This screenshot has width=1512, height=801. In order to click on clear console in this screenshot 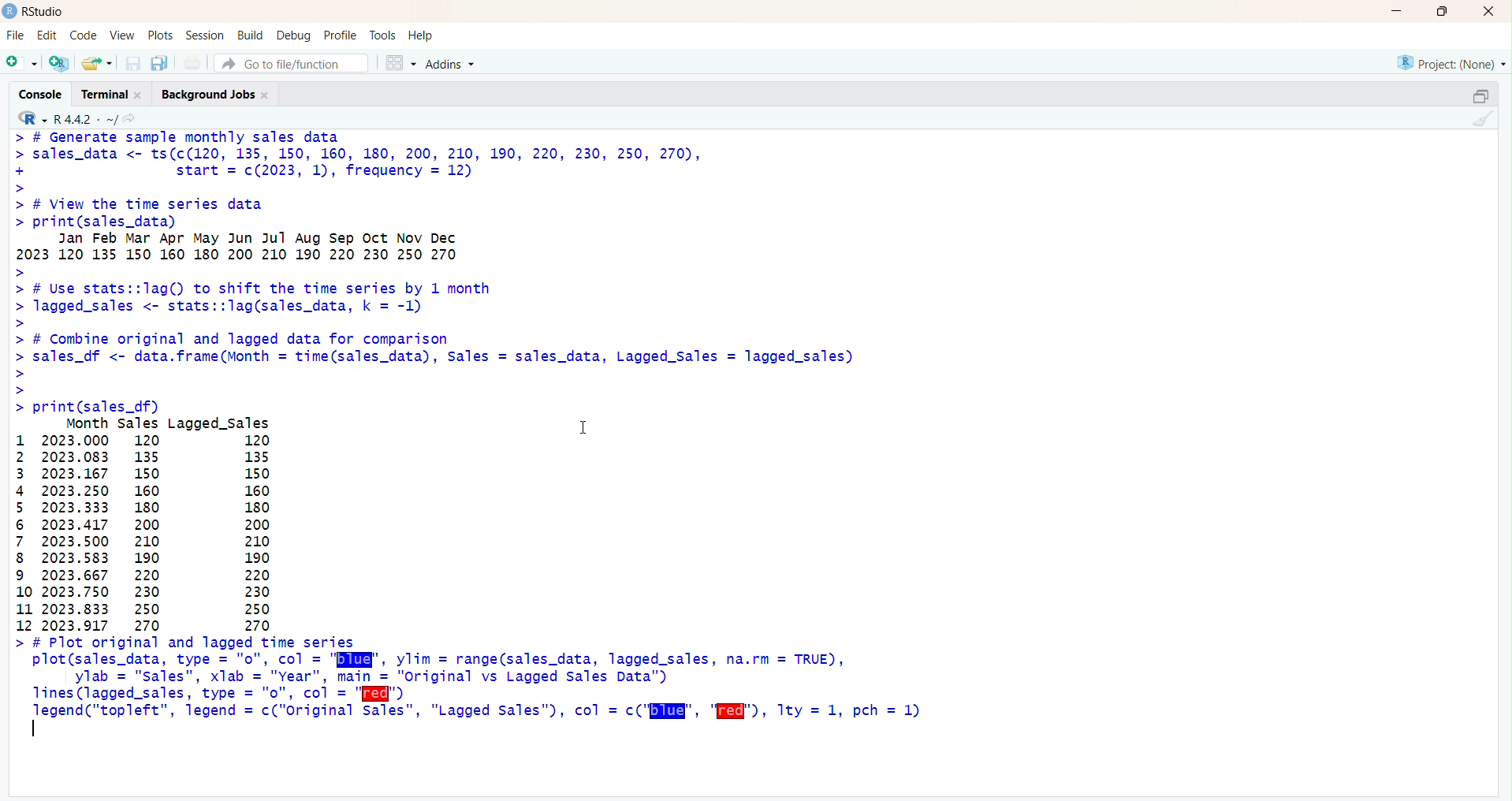, I will do `click(1482, 120)`.